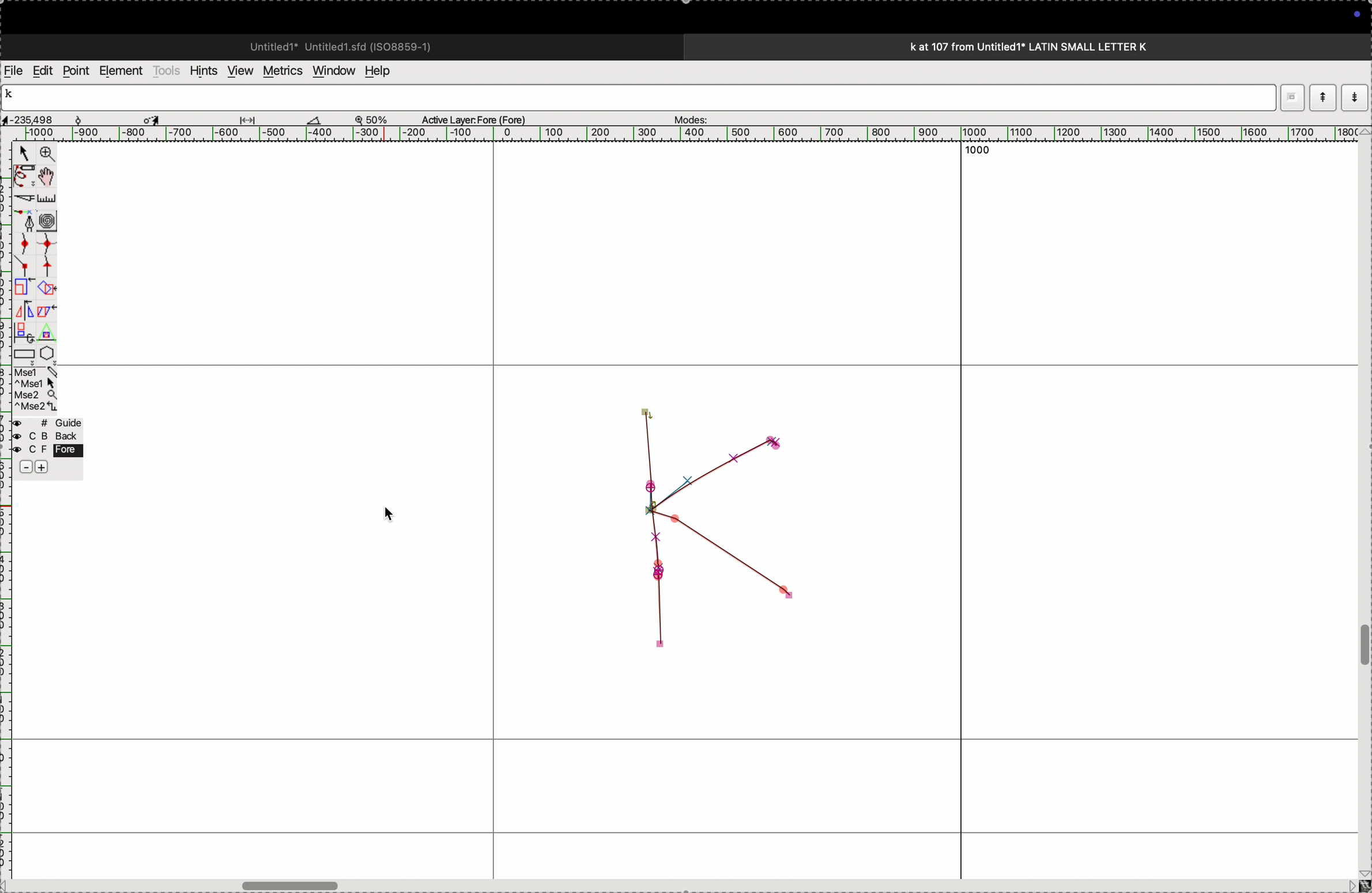 The image size is (1372, 893). I want to click on clone, so click(22, 288).